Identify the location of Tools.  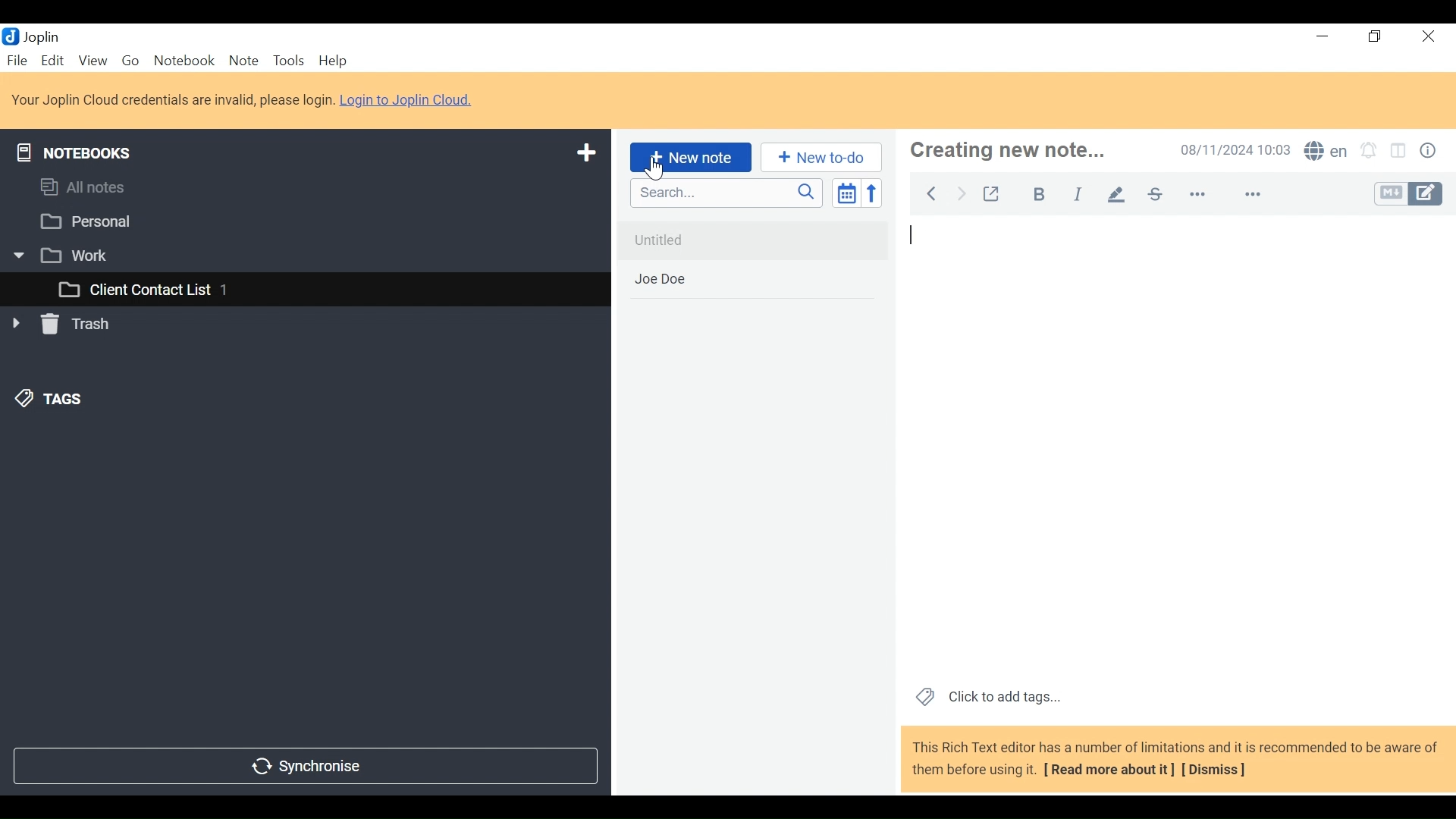
(287, 61).